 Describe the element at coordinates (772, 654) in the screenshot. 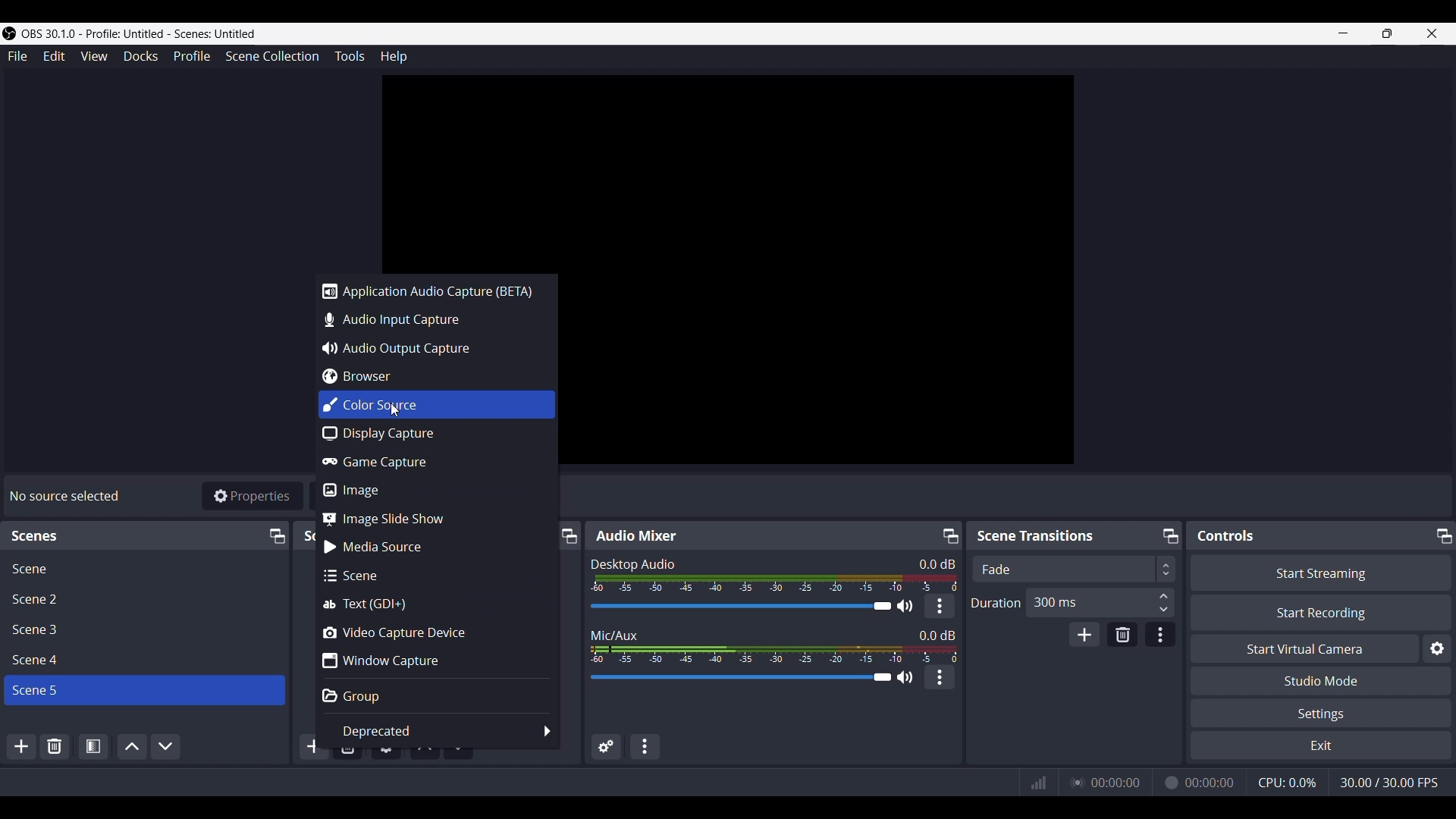

I see `Sound Indicator` at that location.